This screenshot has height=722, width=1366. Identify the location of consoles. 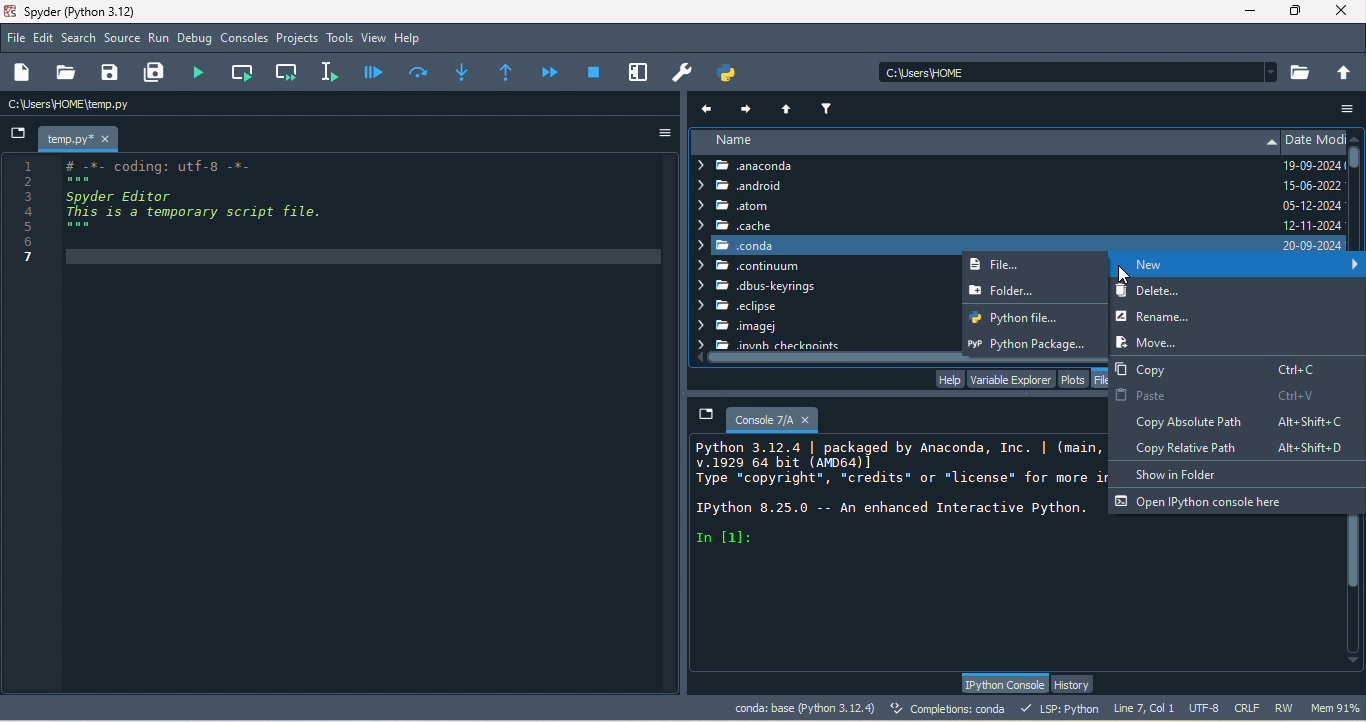
(245, 39).